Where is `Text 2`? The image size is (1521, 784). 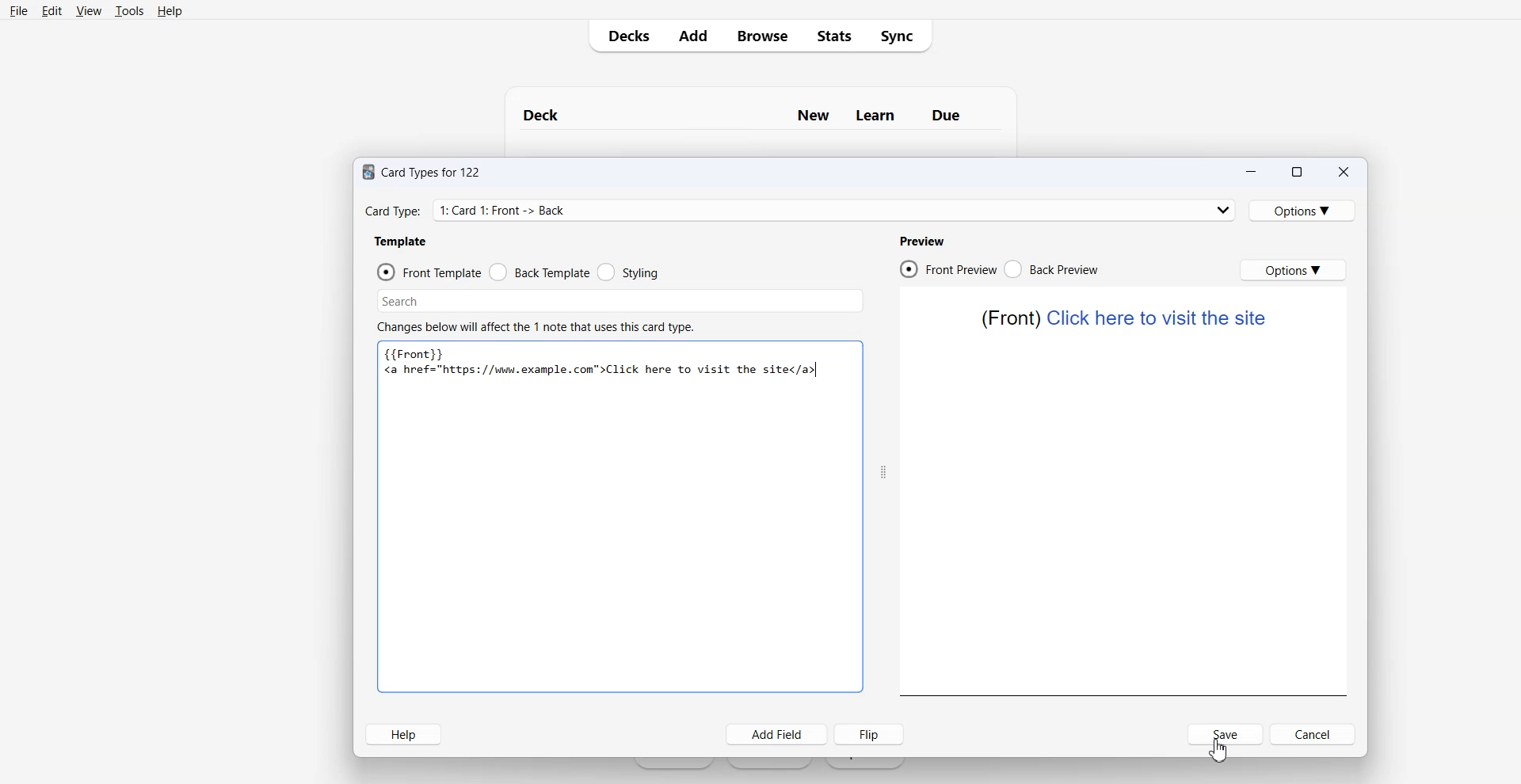
Text 2 is located at coordinates (1124, 318).